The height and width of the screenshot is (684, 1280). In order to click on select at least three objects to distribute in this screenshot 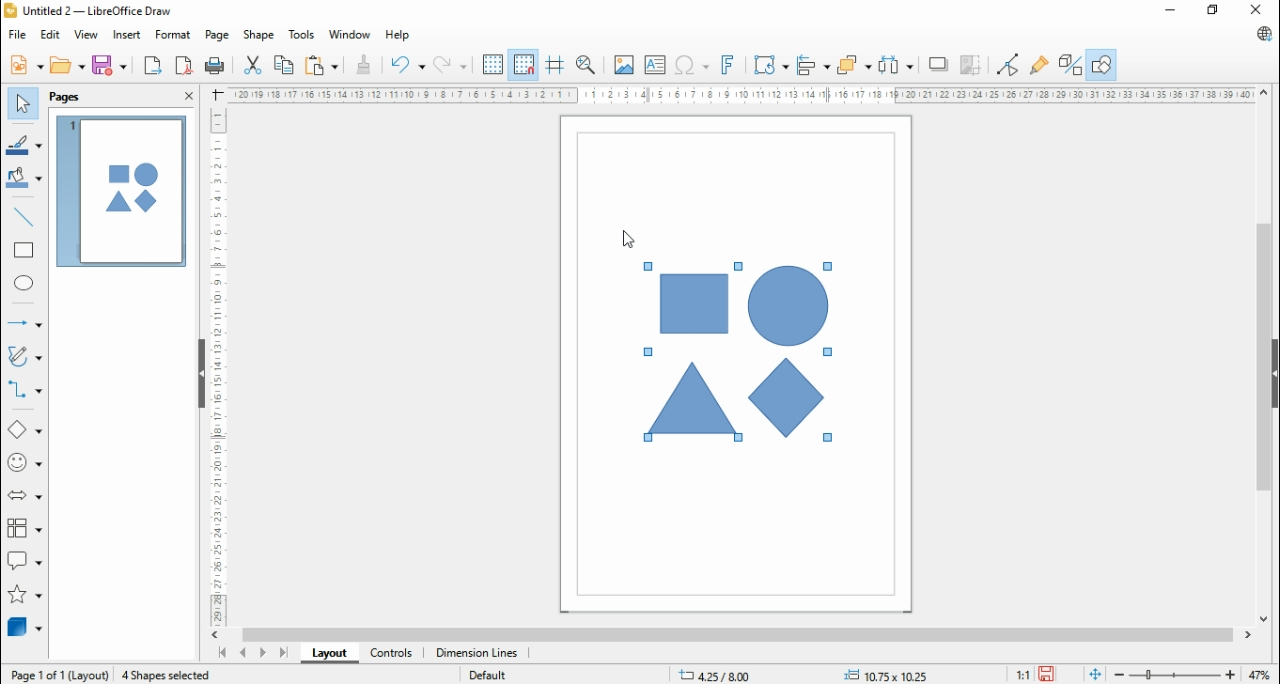, I will do `click(895, 66)`.